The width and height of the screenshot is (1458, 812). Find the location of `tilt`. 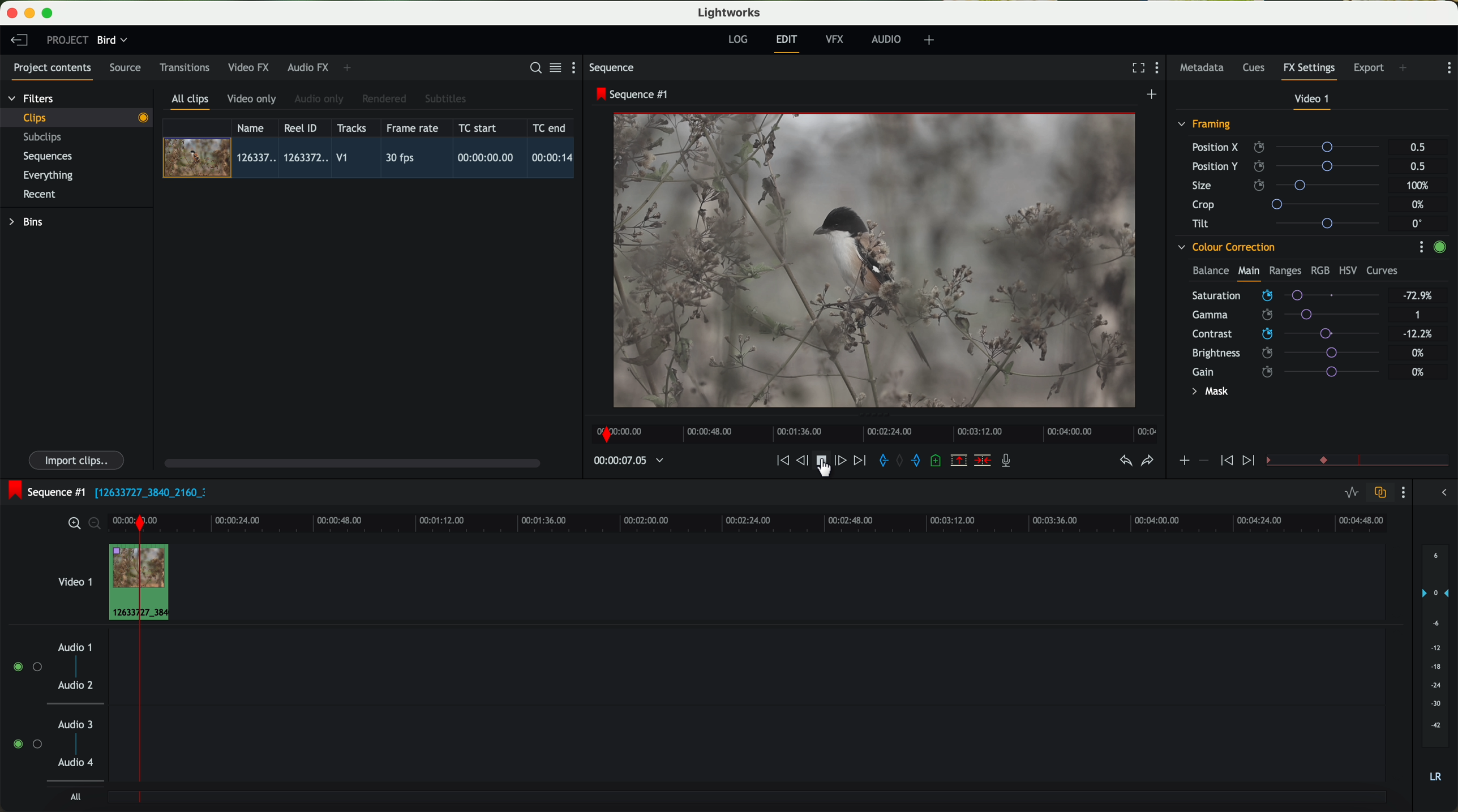

tilt is located at coordinates (1291, 223).